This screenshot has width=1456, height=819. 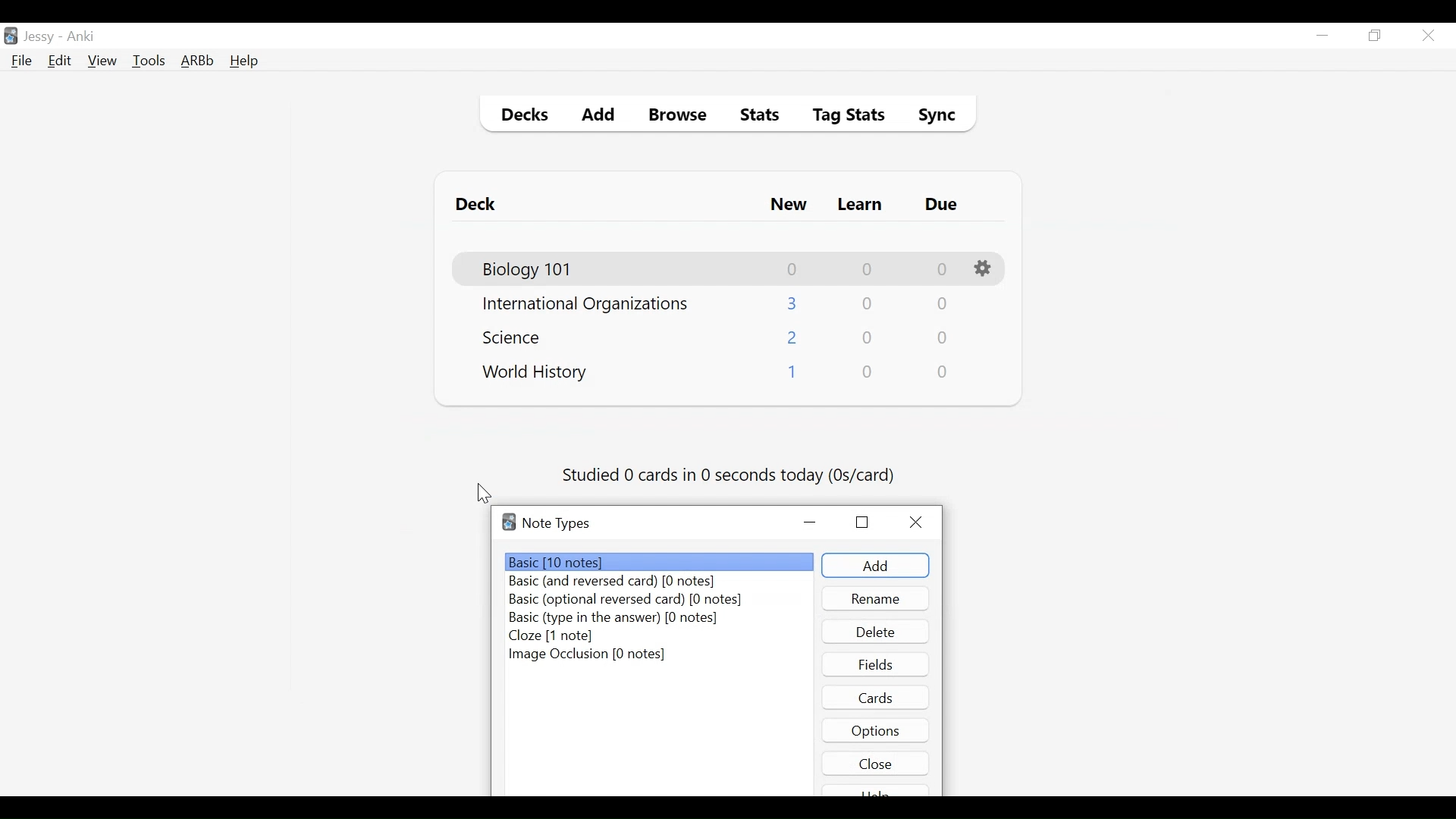 What do you see at coordinates (585, 305) in the screenshot?
I see `Deck Name` at bounding box center [585, 305].